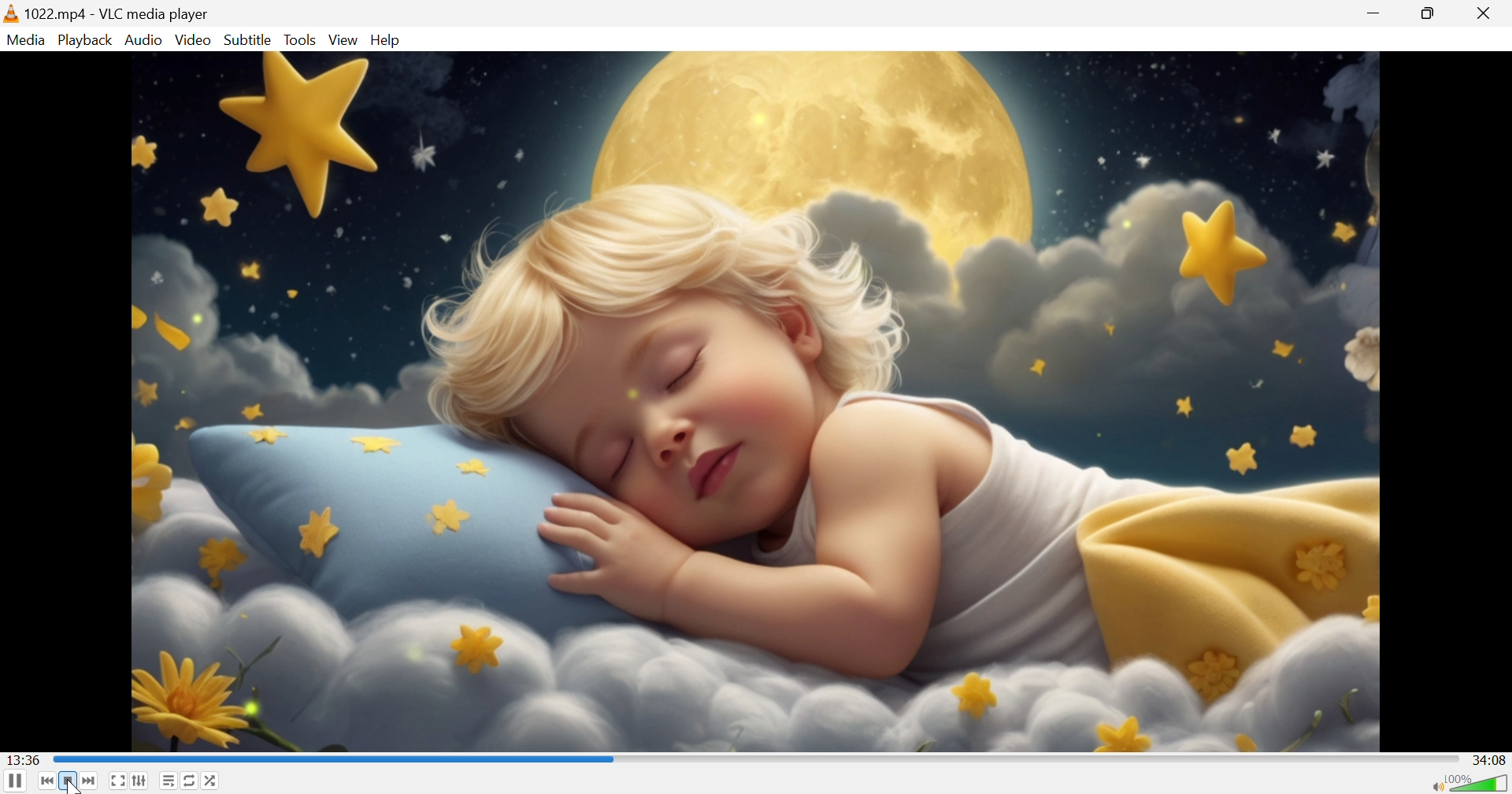 The height and width of the screenshot is (794, 1512). I want to click on Show extended settings, so click(141, 781).